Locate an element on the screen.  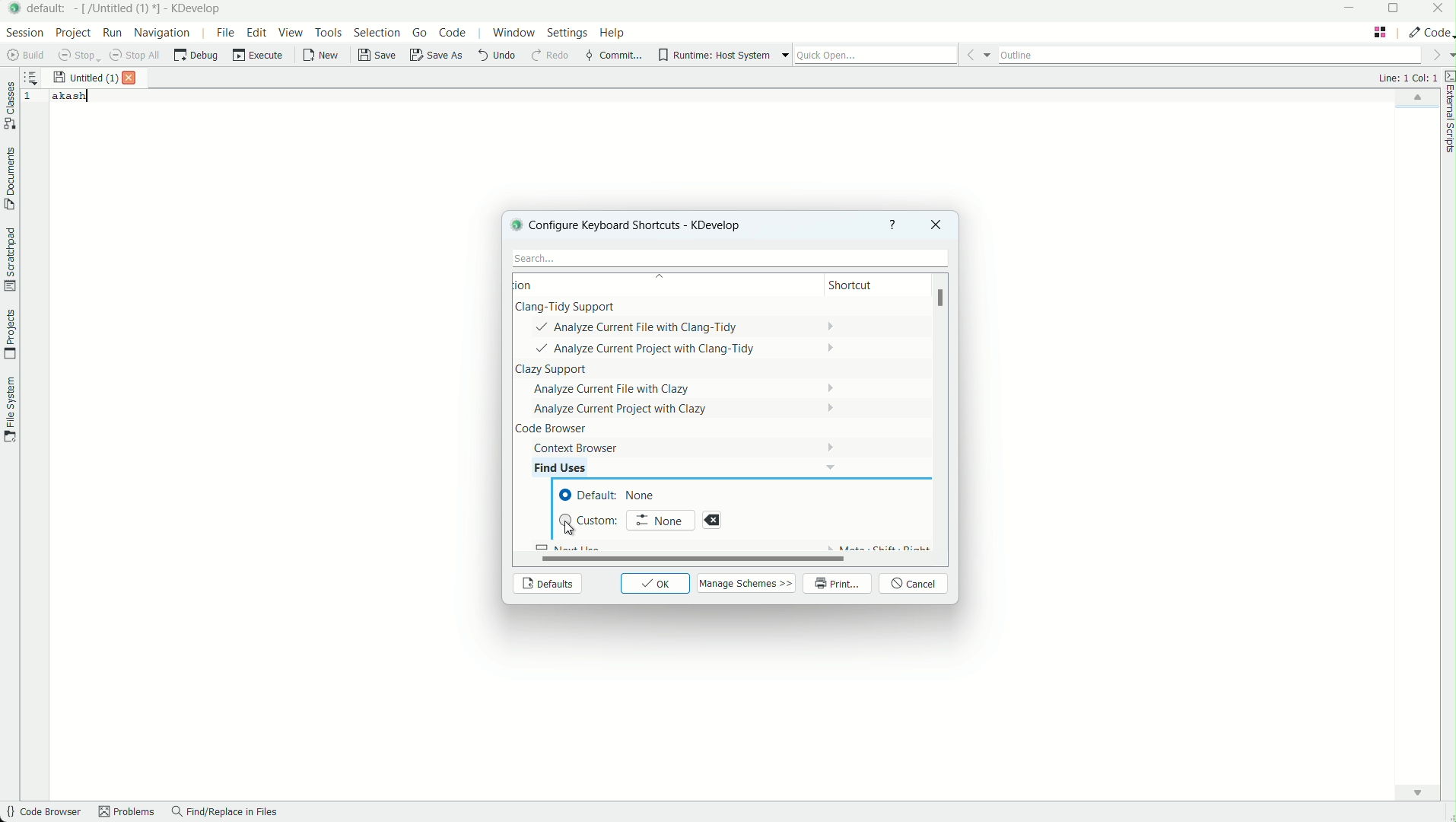
scroll bar is located at coordinates (684, 559).